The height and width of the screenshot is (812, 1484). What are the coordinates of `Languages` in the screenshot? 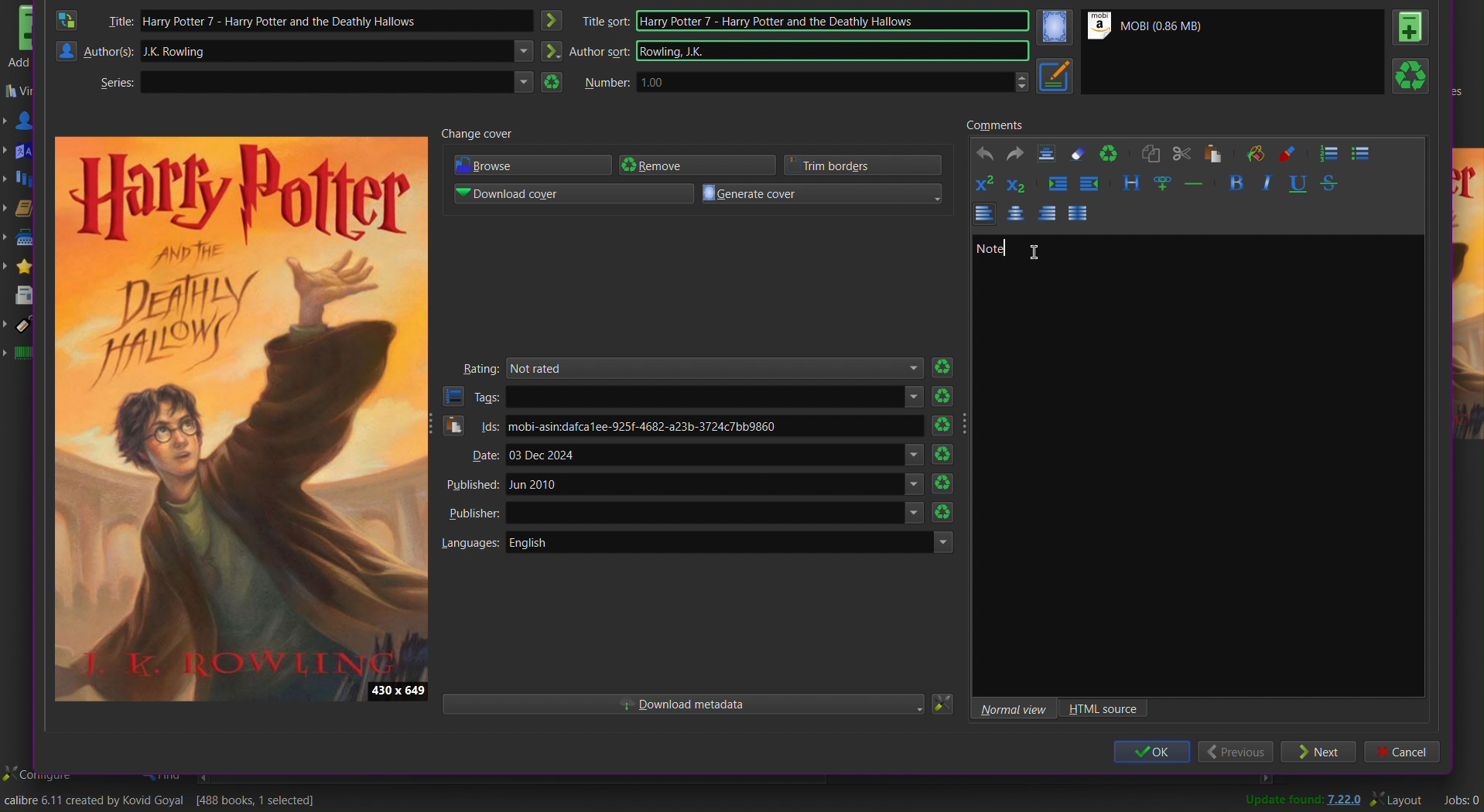 It's located at (470, 544).